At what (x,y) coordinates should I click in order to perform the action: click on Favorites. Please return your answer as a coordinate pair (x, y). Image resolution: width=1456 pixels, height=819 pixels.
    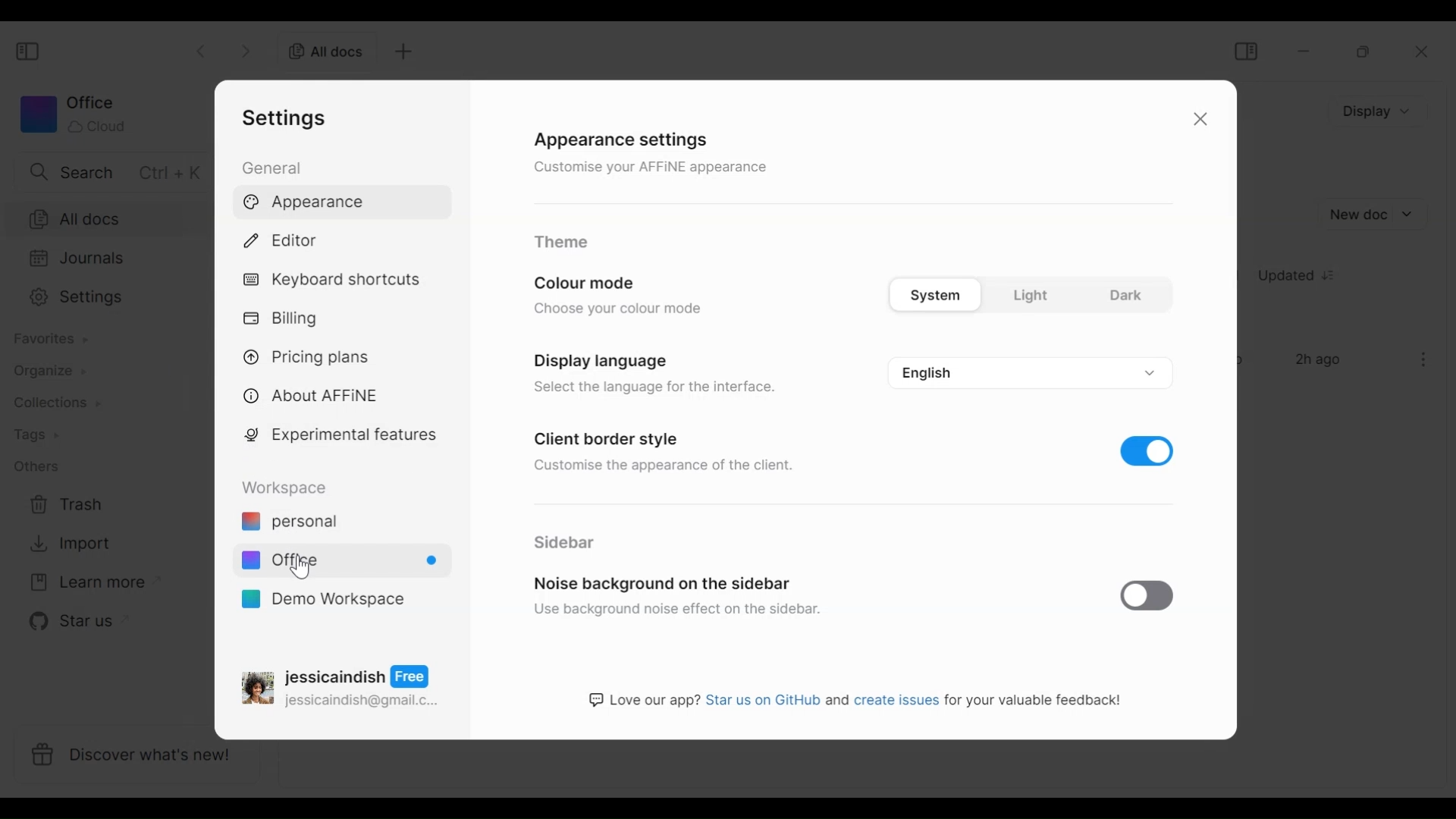
    Looking at the image, I should click on (49, 339).